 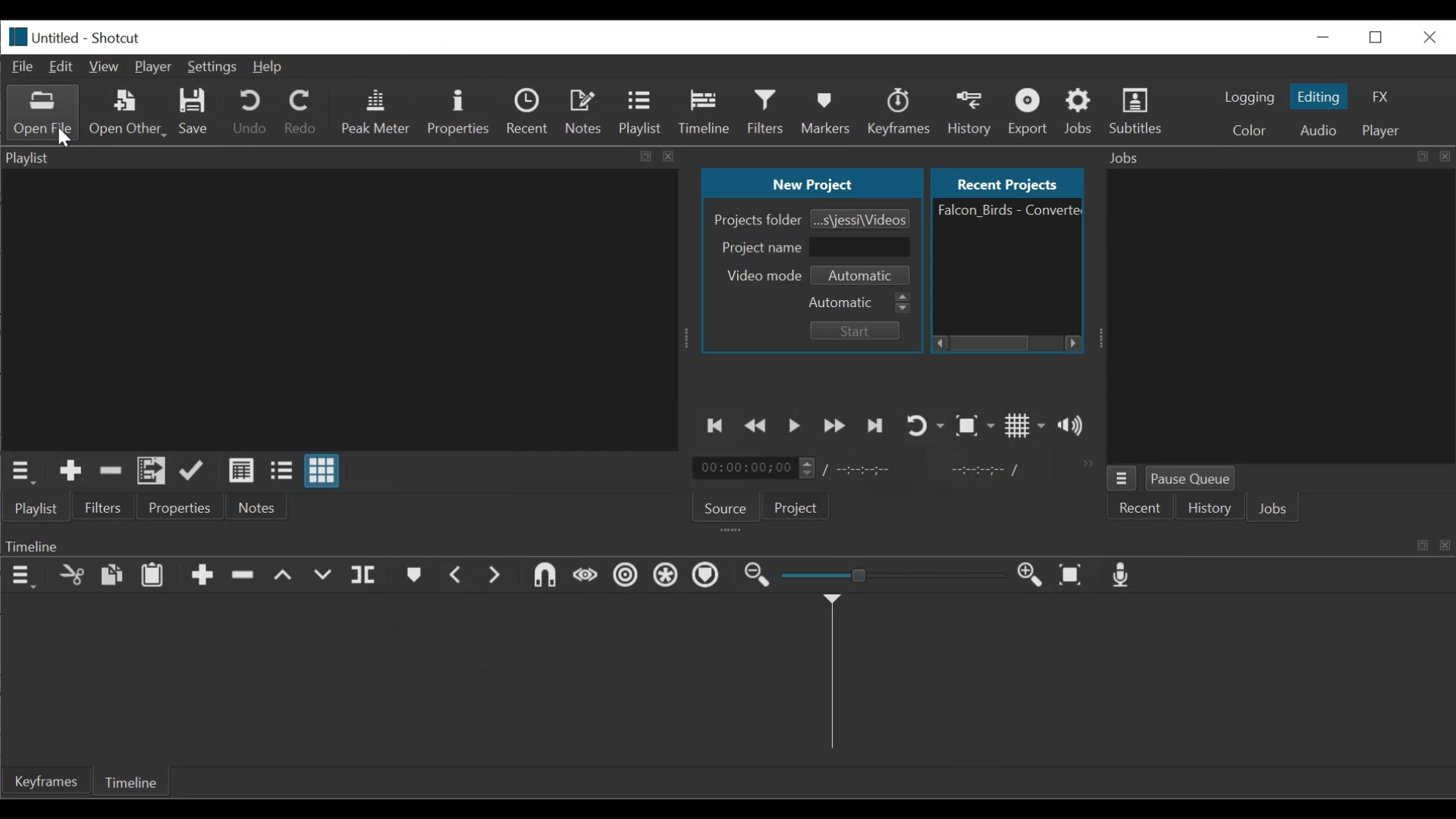 I want to click on Restore, so click(x=1377, y=38).